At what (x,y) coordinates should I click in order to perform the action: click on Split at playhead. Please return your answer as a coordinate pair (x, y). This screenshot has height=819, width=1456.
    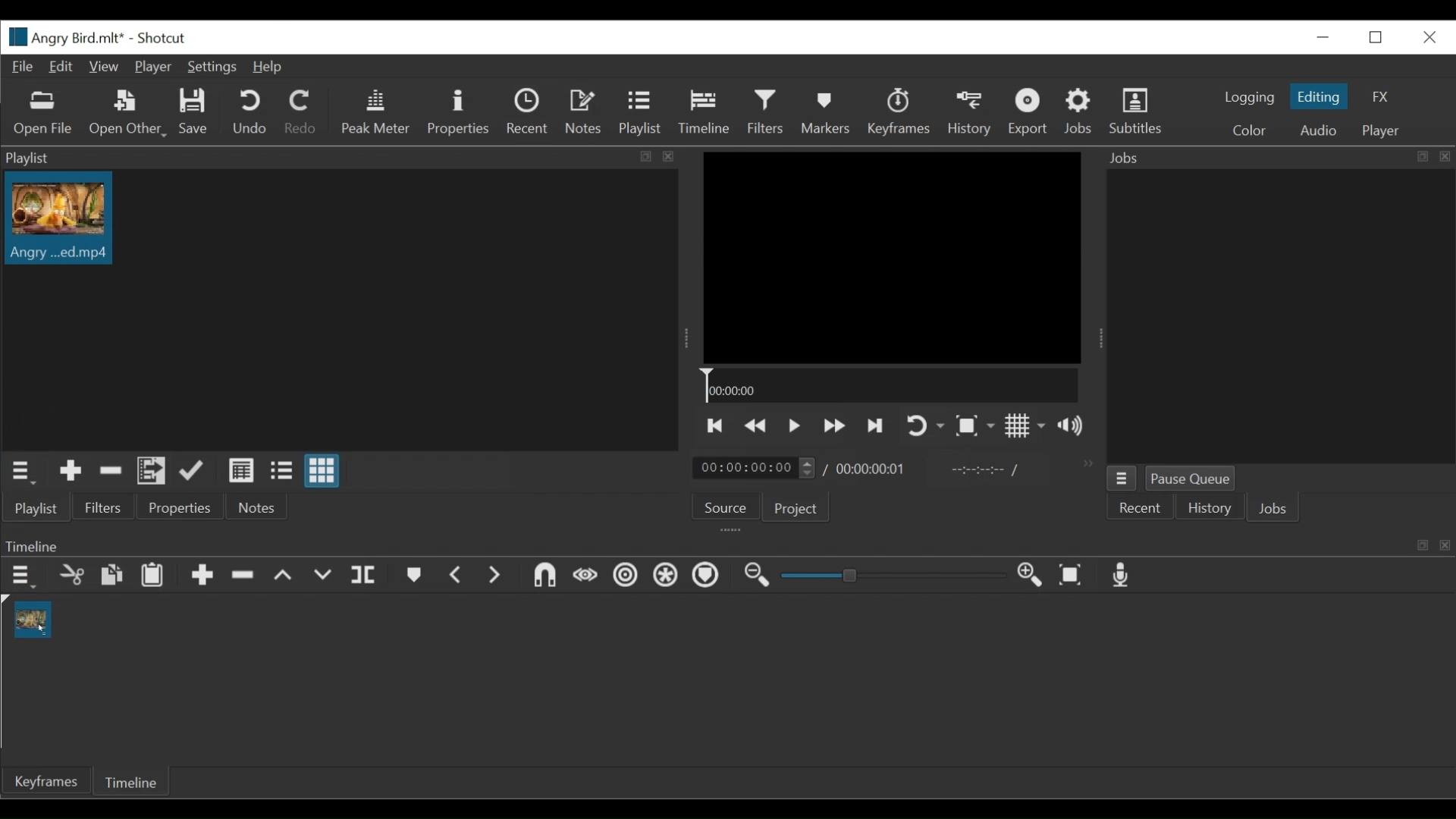
    Looking at the image, I should click on (368, 575).